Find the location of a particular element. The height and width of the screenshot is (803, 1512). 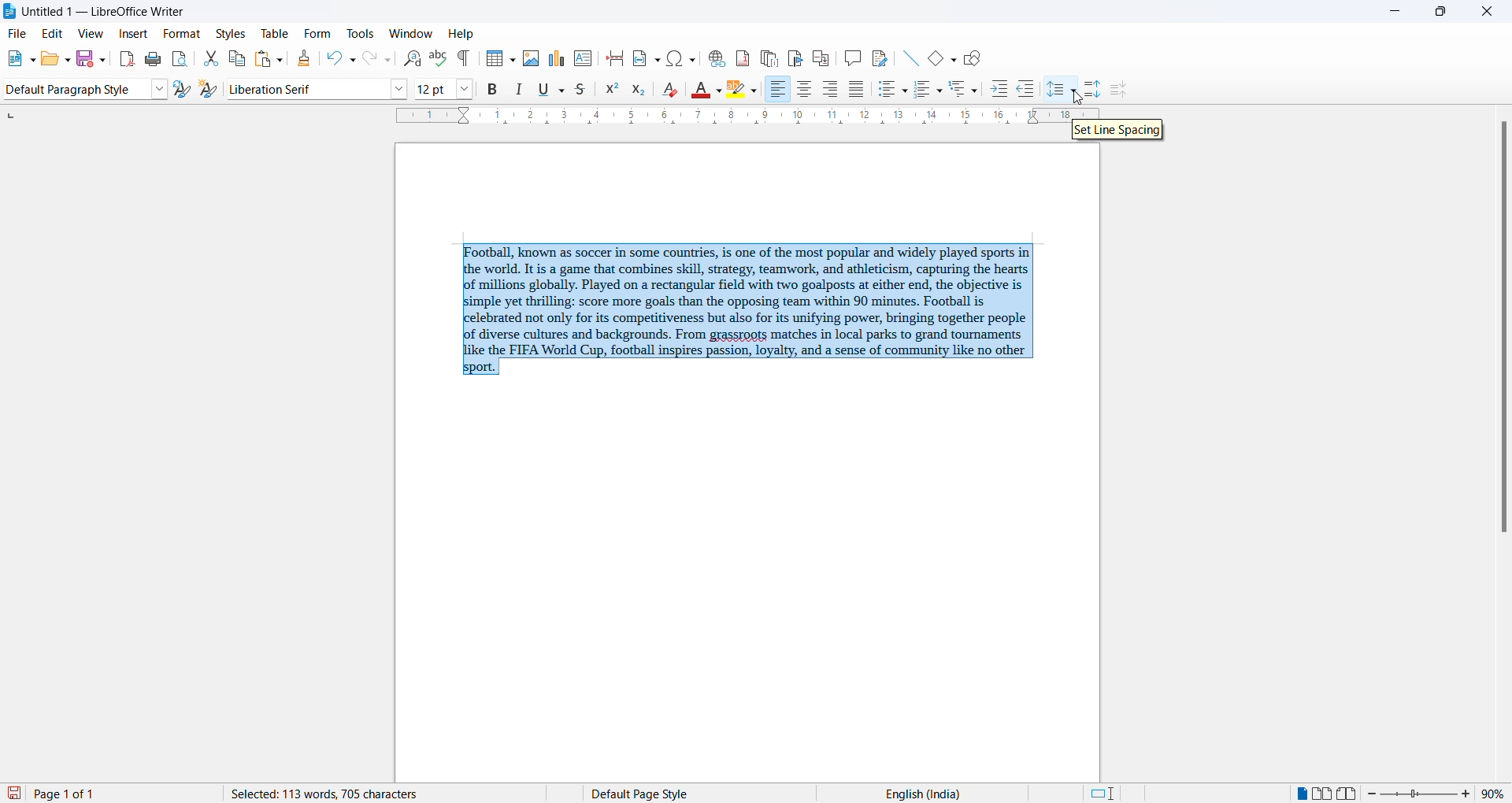

total and current page is located at coordinates (129, 792).